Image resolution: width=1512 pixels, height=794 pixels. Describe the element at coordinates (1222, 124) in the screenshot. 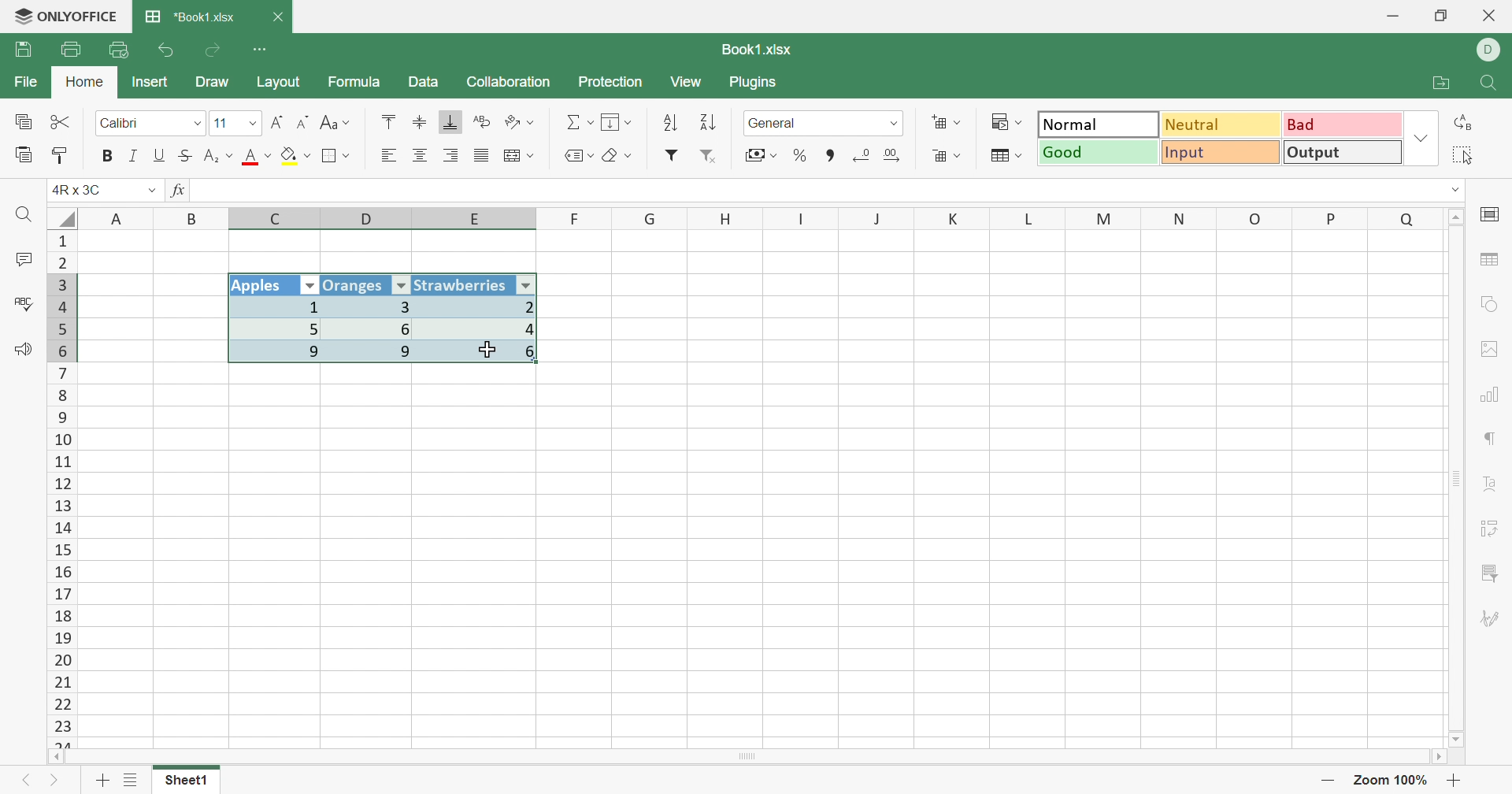

I see `Neutral` at that location.